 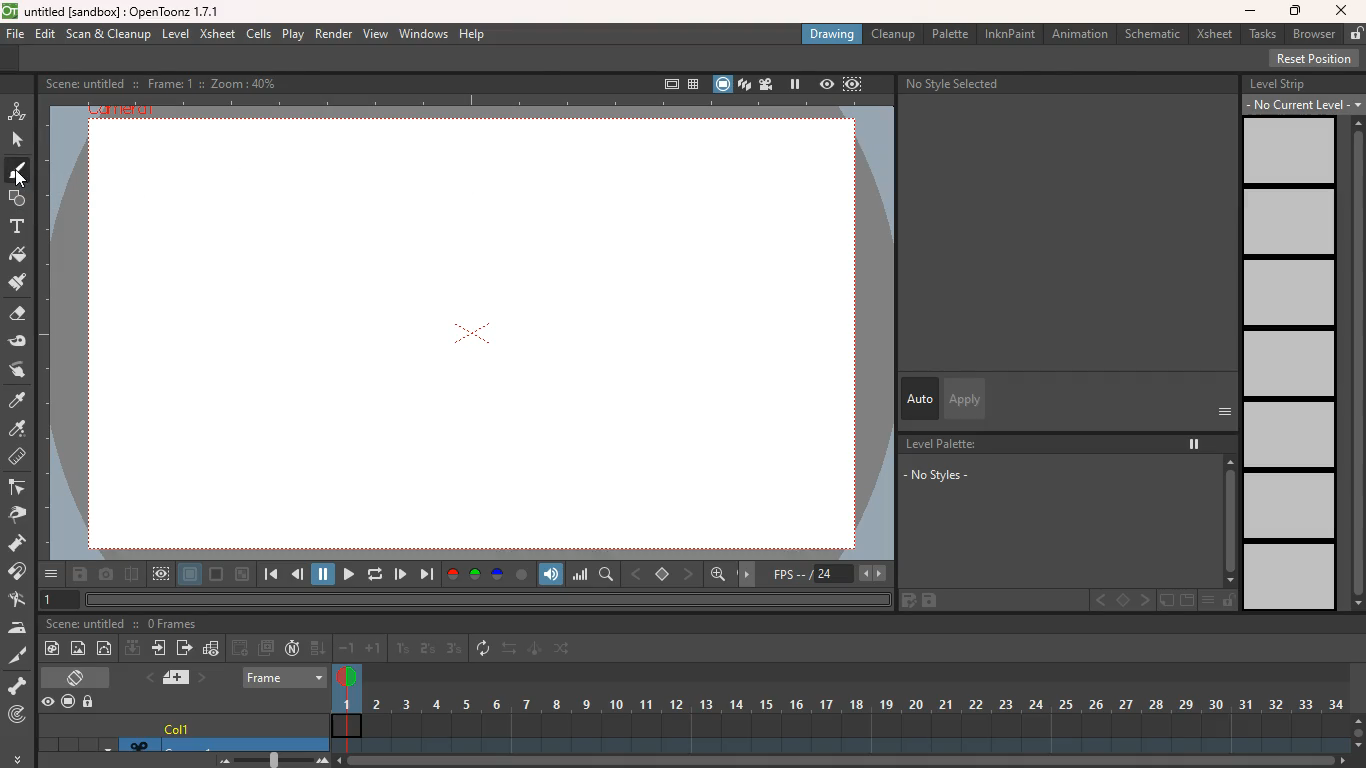 What do you see at coordinates (292, 650) in the screenshot?
I see `n` at bounding box center [292, 650].